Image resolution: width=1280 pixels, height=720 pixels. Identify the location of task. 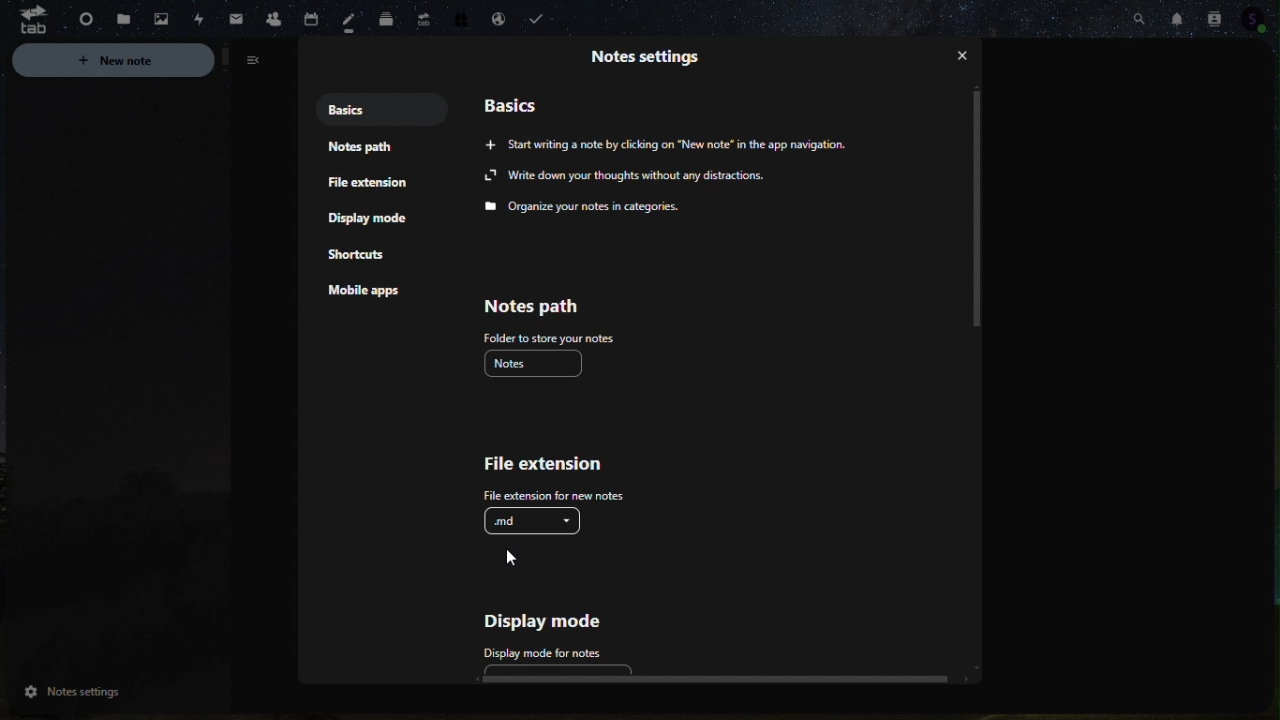
(541, 20).